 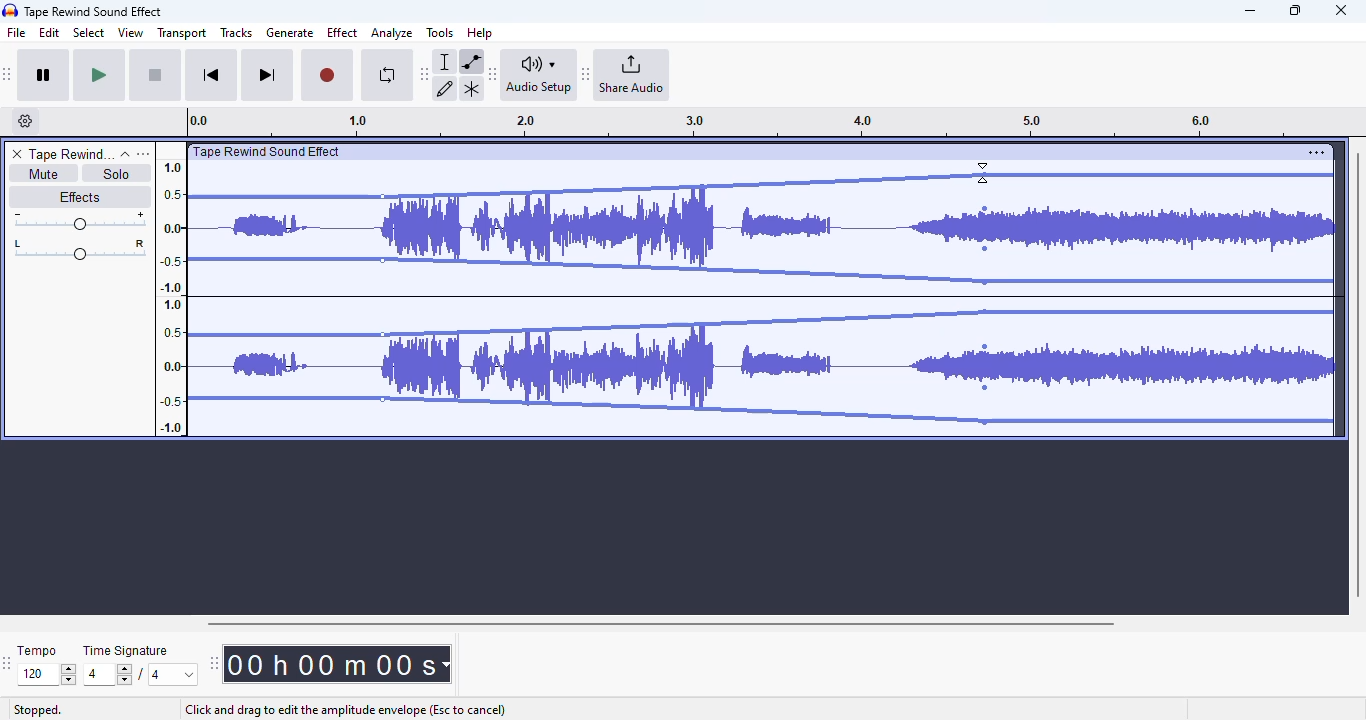 I want to click on stop, so click(x=155, y=76).